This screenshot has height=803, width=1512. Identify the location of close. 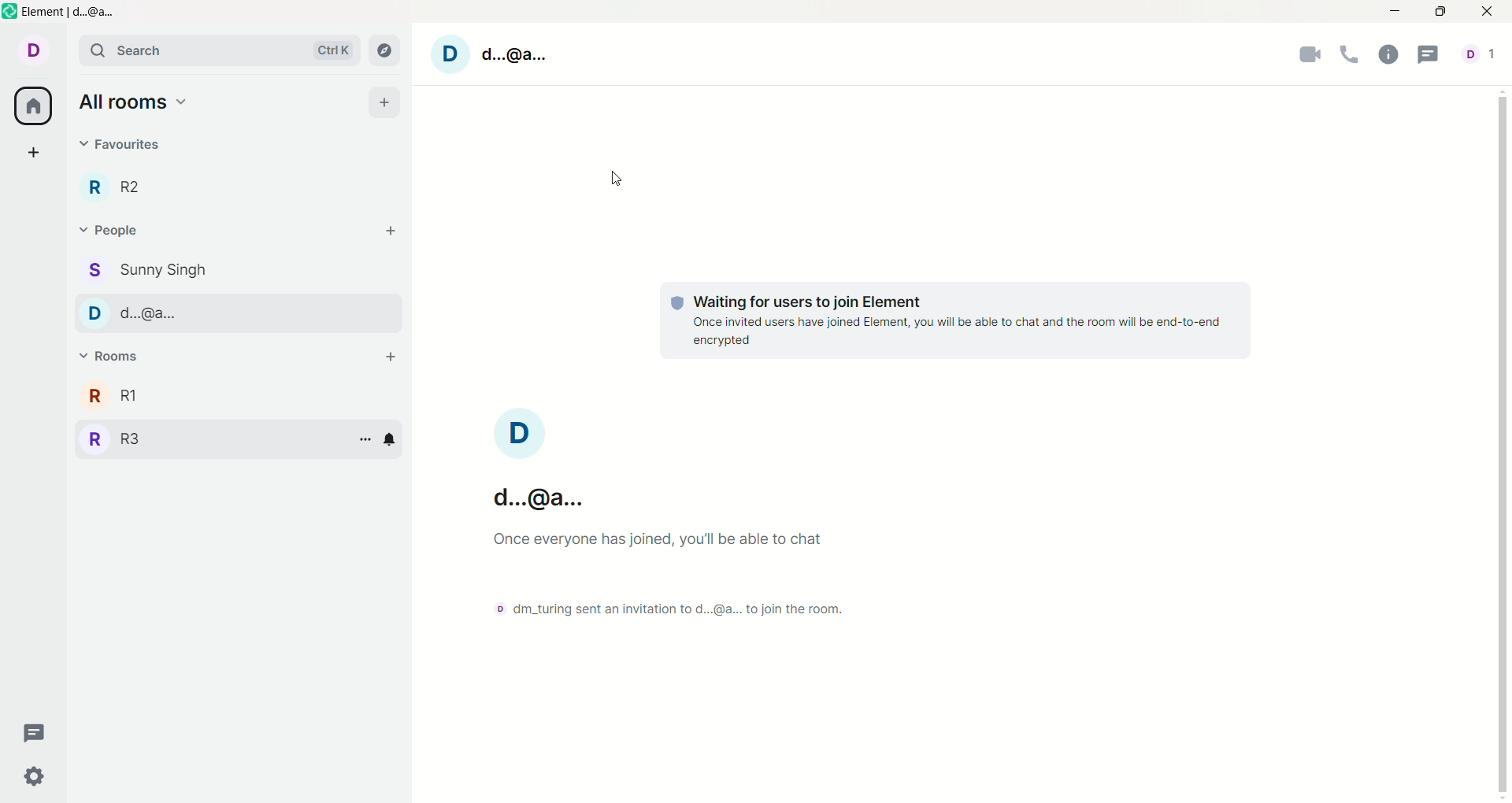
(1493, 12).